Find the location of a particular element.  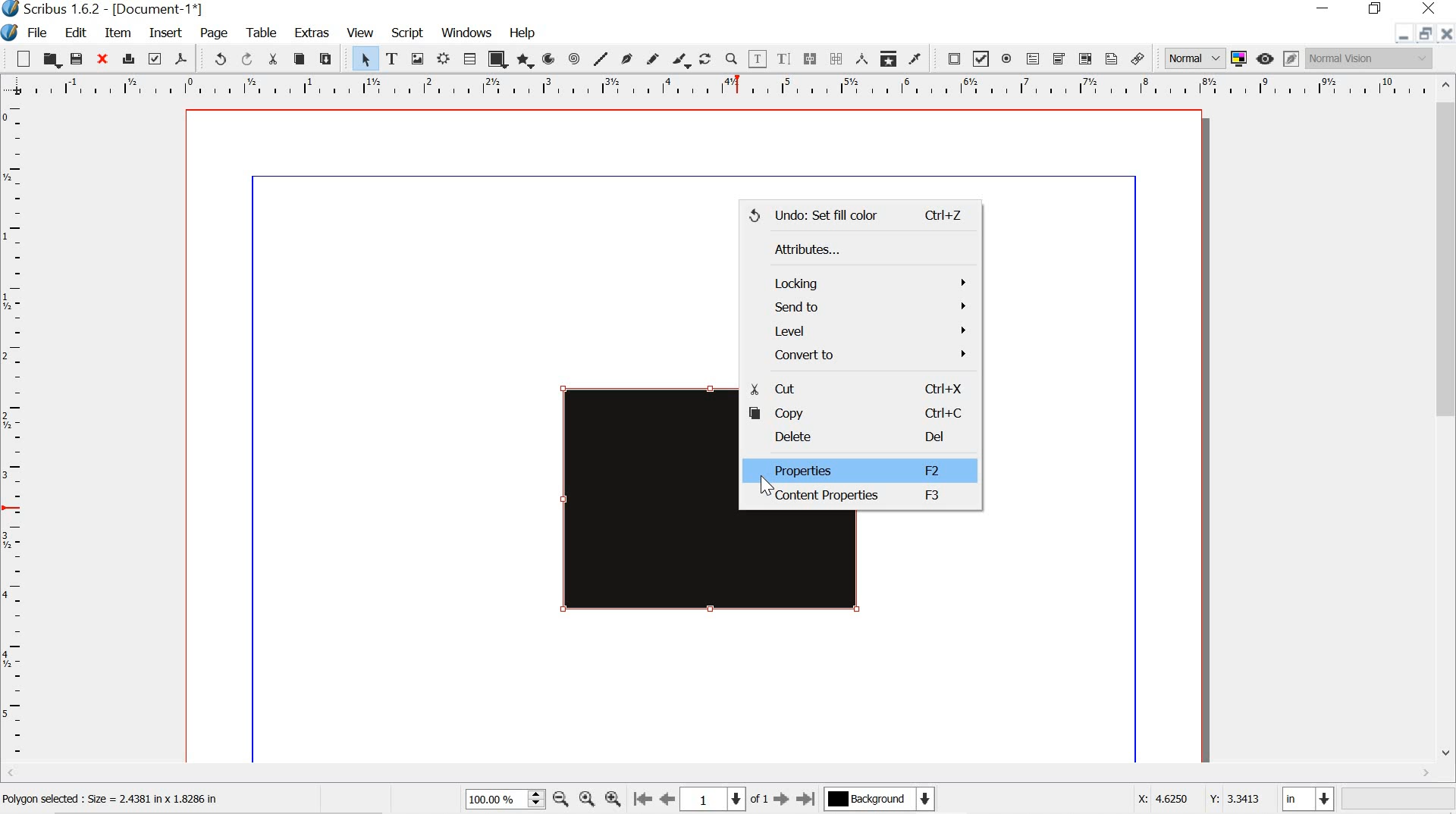

calligraphic line is located at coordinates (679, 60).